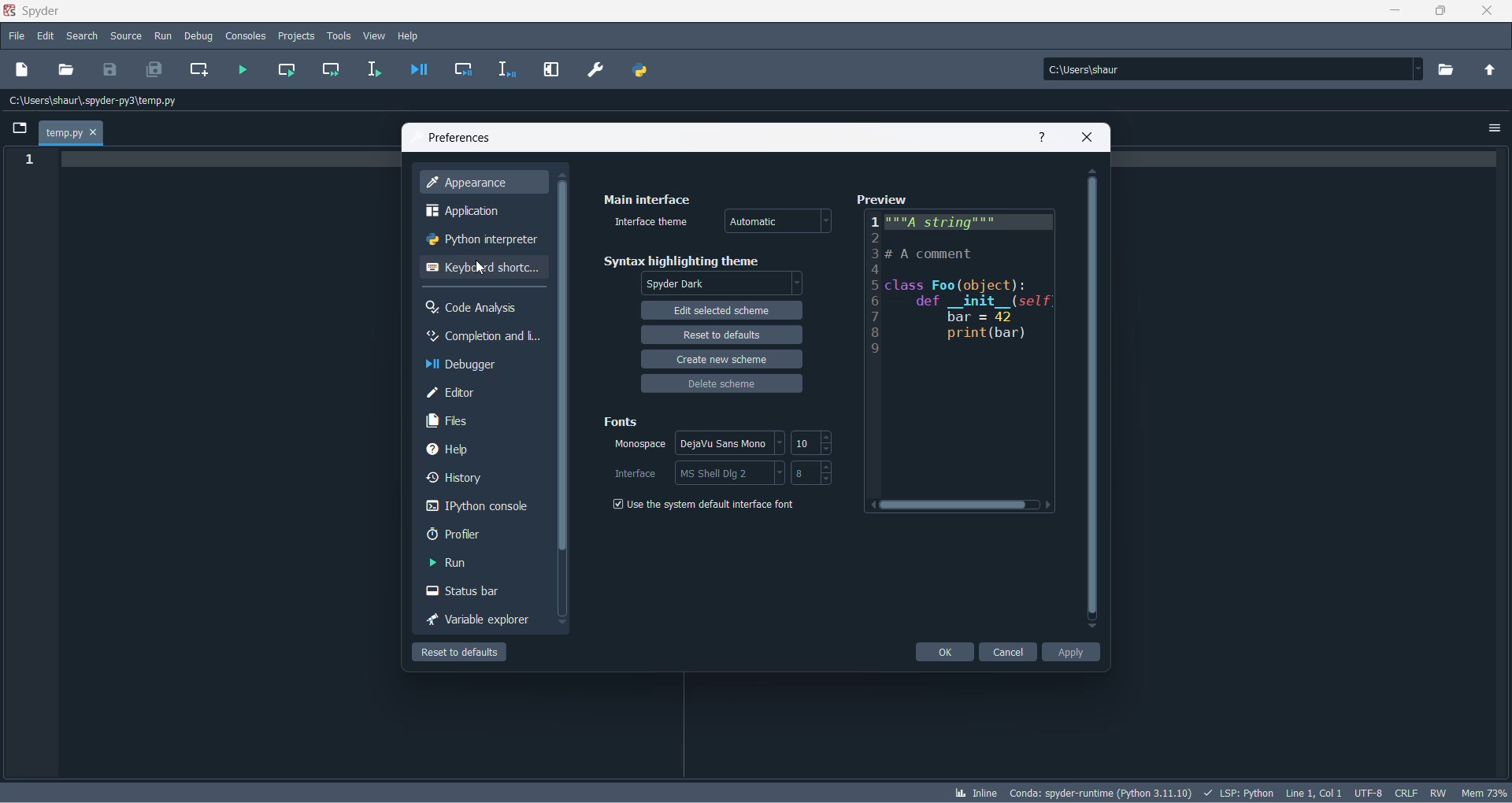  I want to click on increment, so click(828, 437).